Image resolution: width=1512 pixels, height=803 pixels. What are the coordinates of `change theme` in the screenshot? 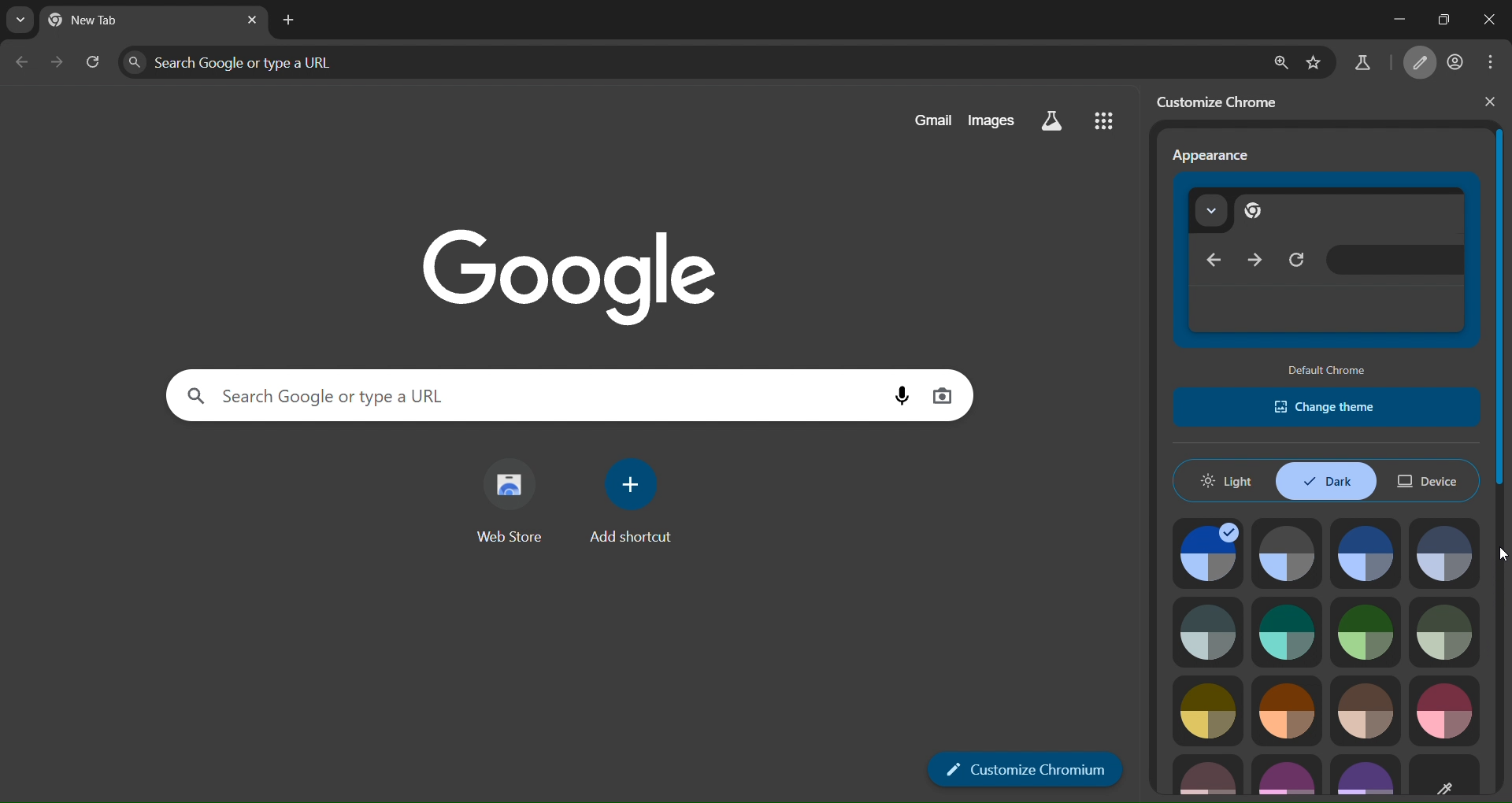 It's located at (1329, 406).